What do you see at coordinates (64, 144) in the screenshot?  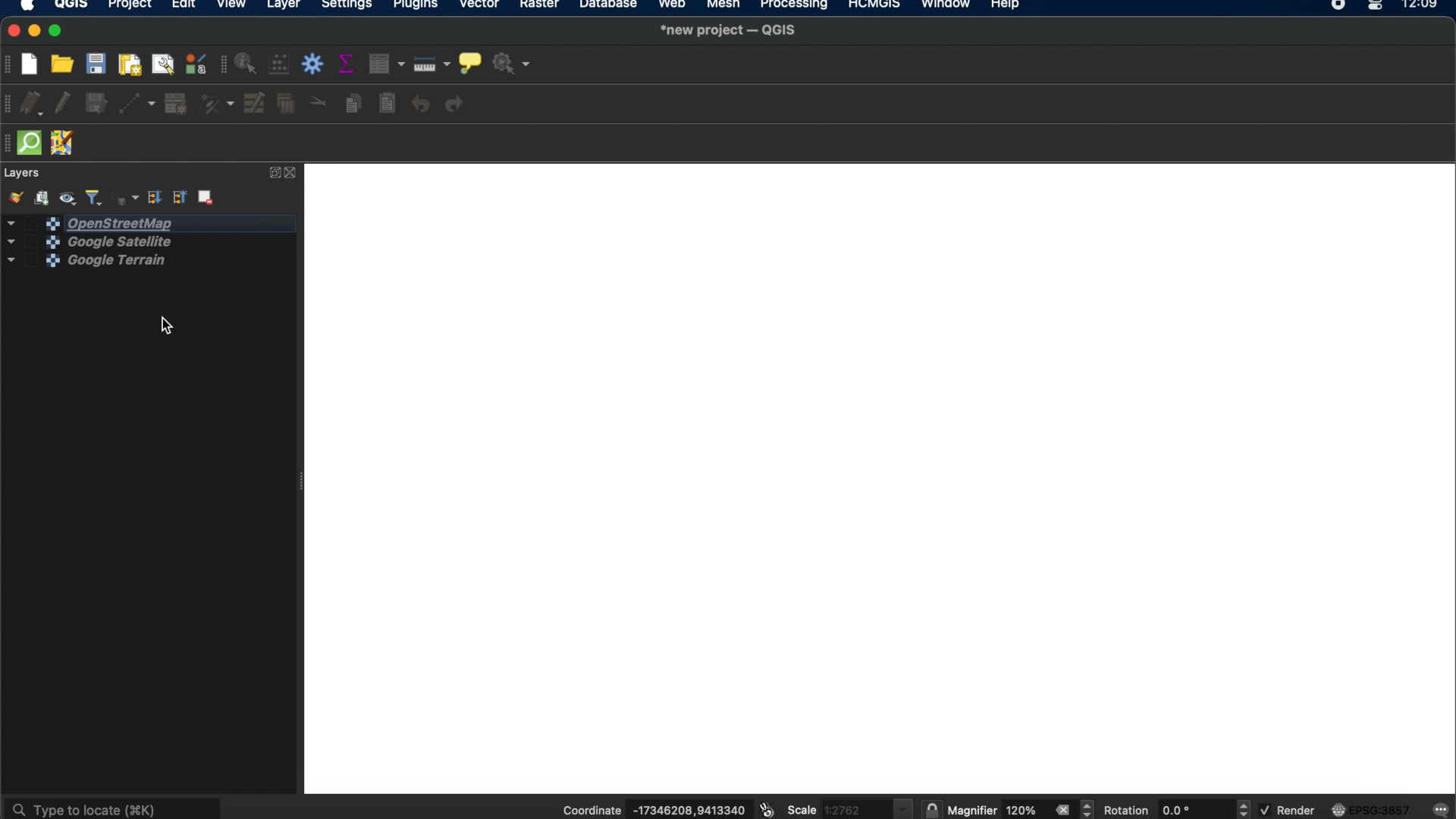 I see `JOSM remote` at bounding box center [64, 144].